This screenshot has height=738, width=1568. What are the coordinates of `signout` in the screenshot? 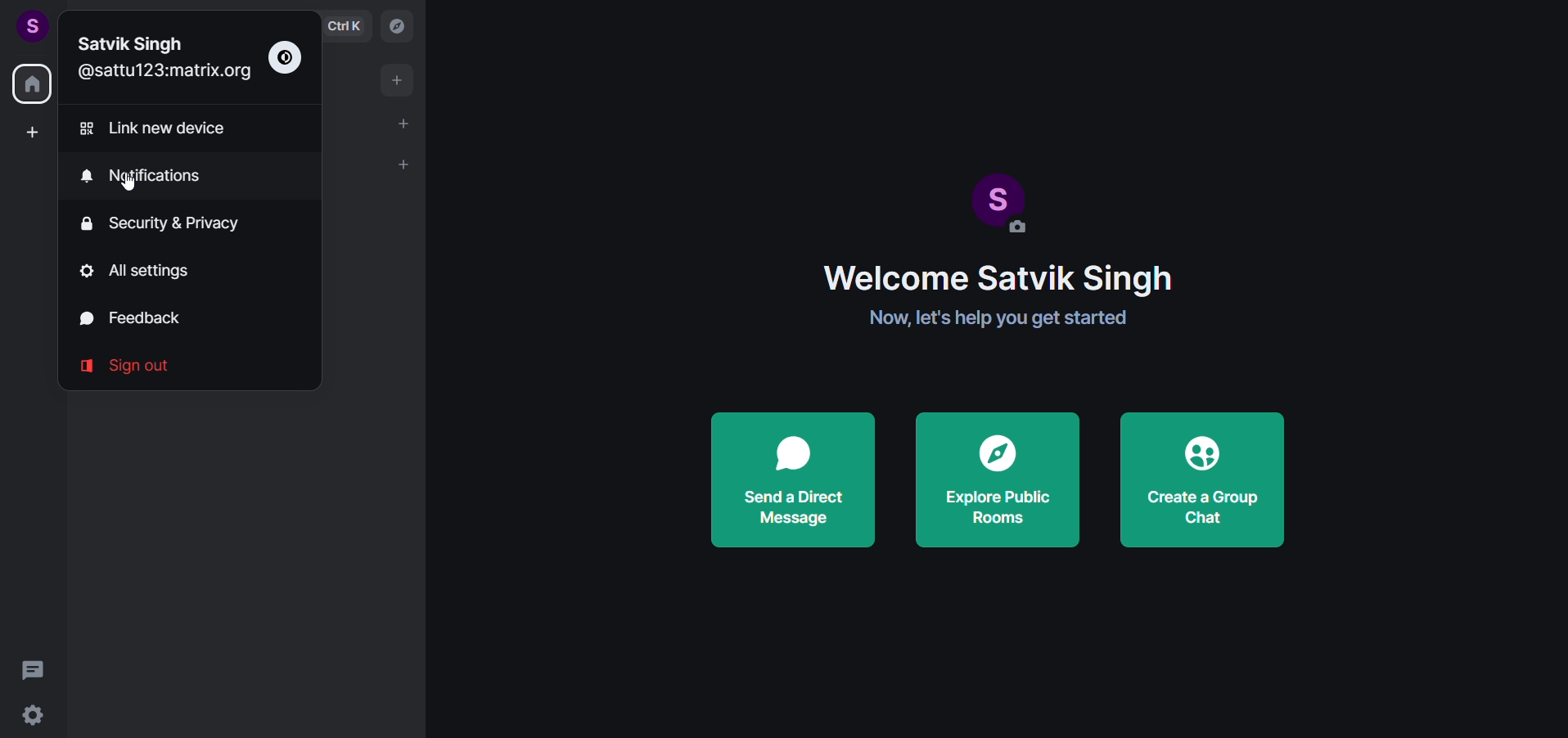 It's located at (126, 367).